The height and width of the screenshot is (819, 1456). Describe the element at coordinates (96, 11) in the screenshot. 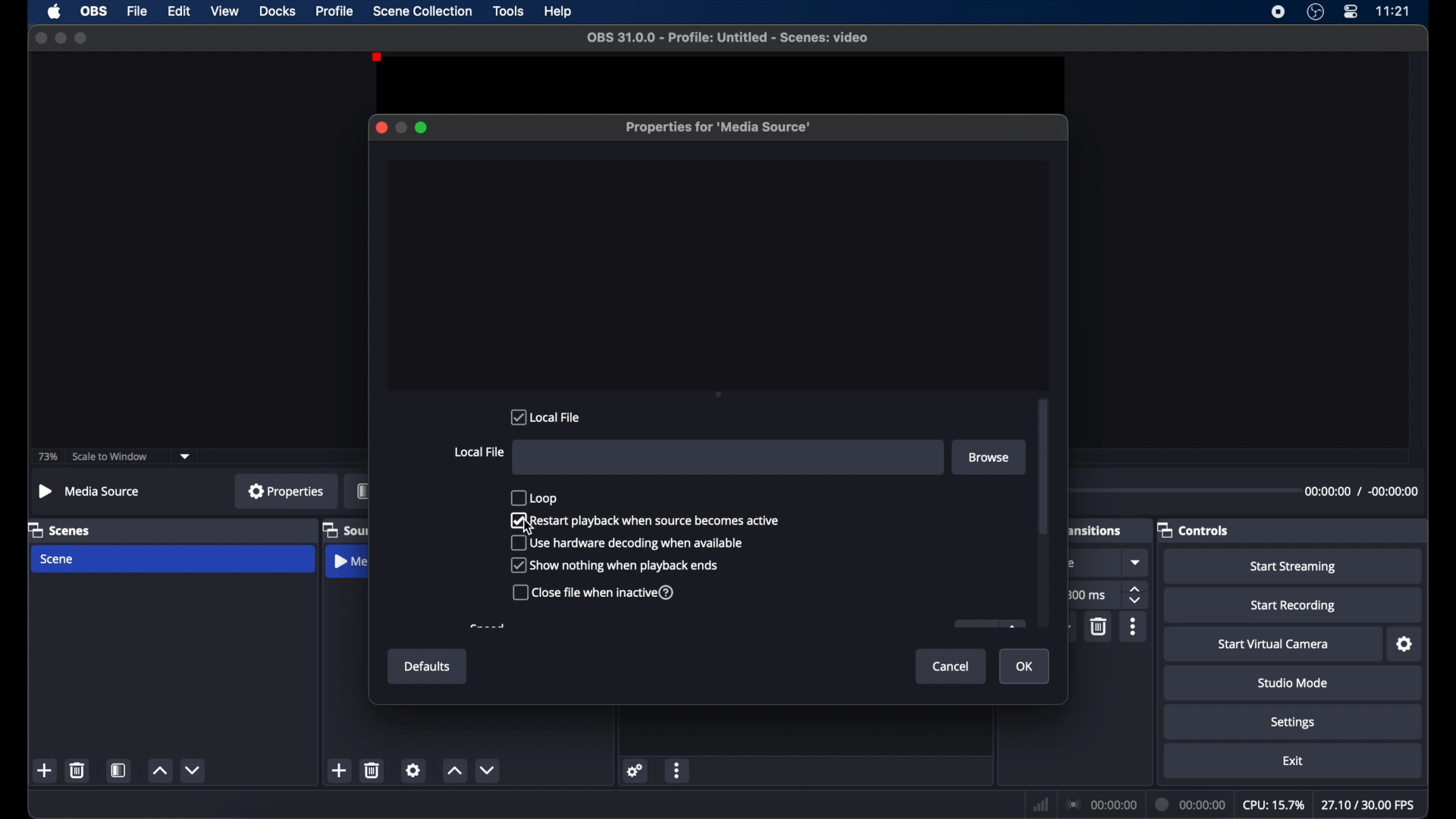

I see `obs` at that location.